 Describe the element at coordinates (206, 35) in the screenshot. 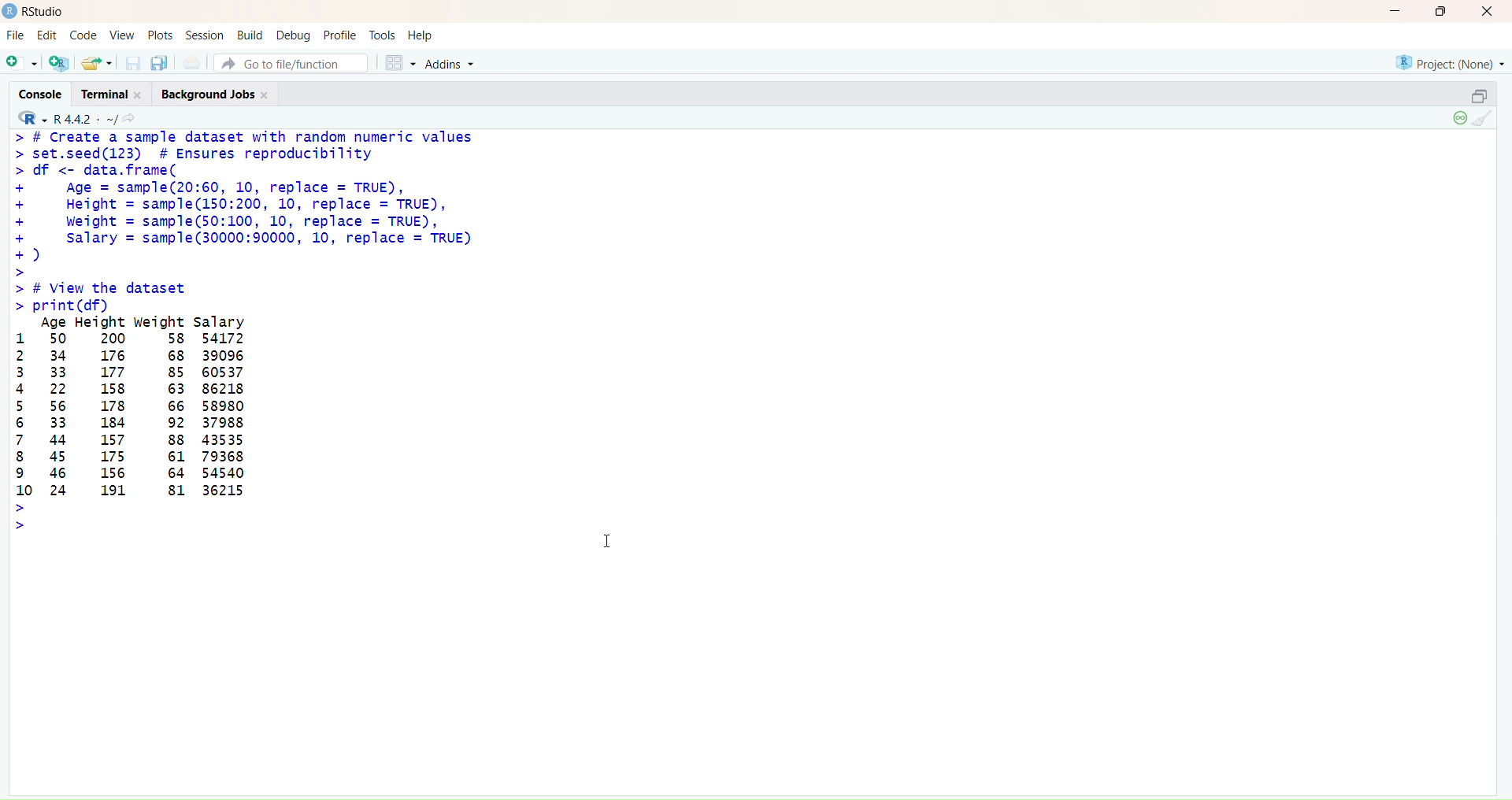

I see `Session` at that location.